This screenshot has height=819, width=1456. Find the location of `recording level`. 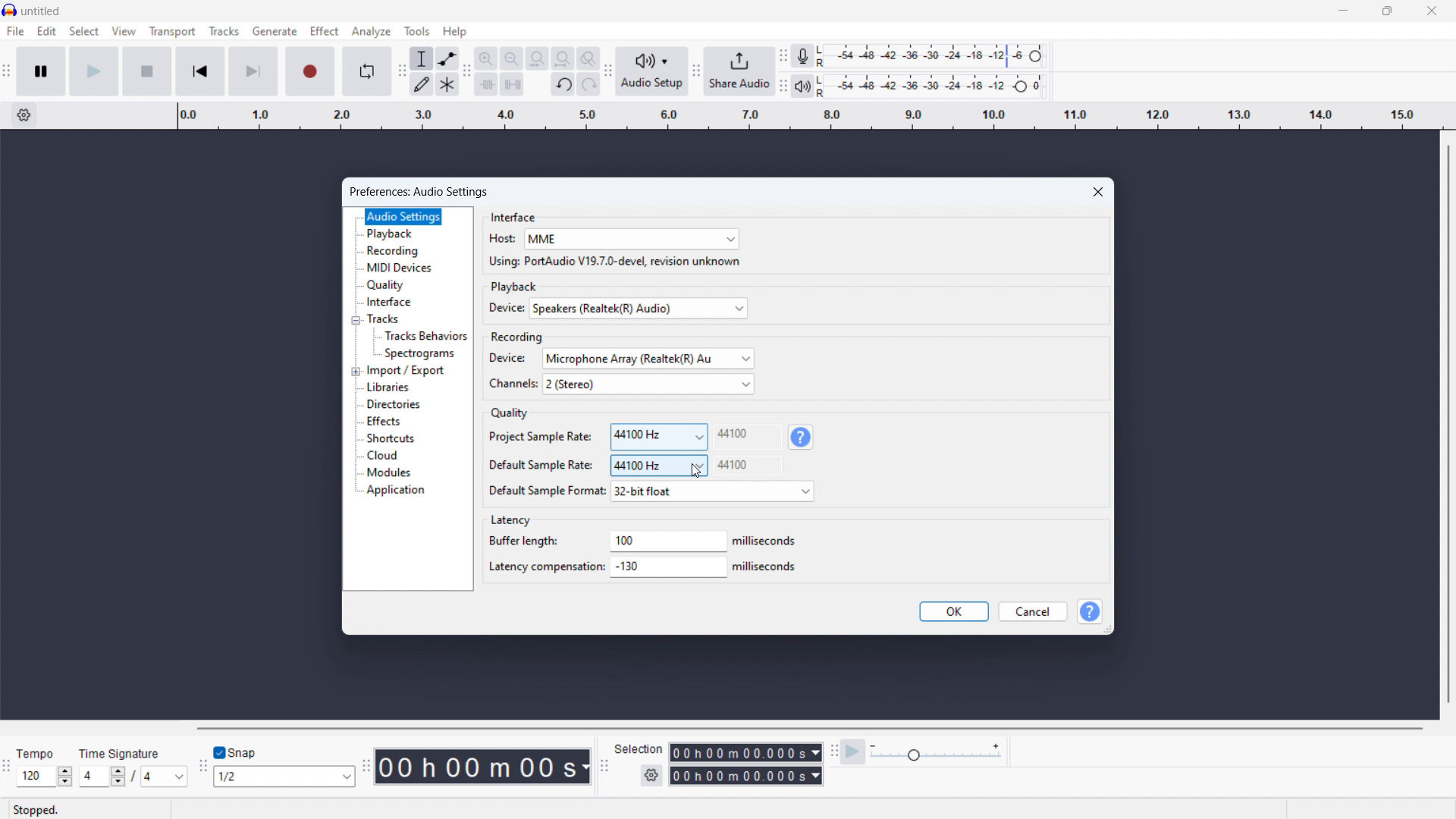

recording level is located at coordinates (936, 57).